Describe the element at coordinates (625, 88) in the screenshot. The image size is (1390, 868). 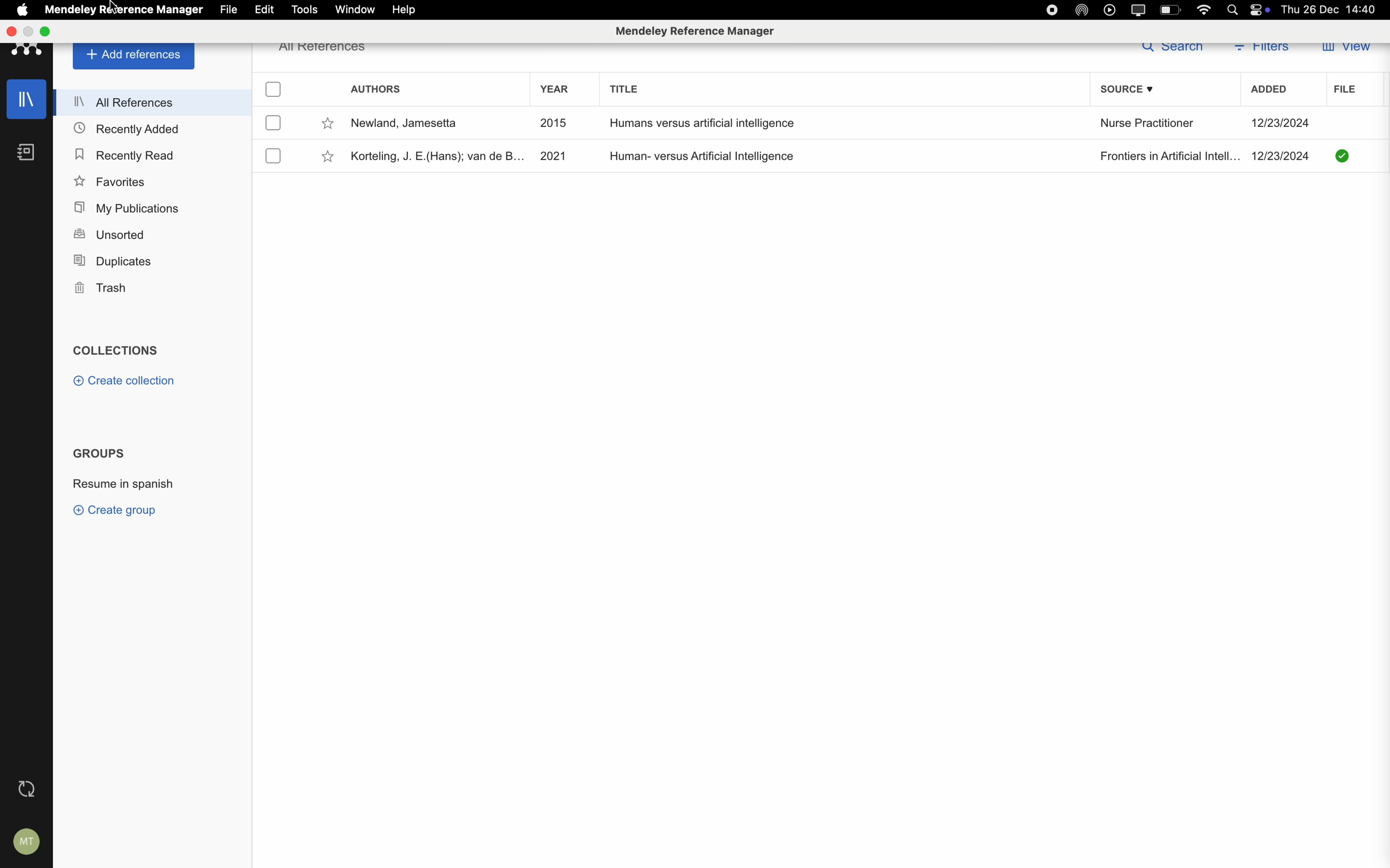
I see `title` at that location.